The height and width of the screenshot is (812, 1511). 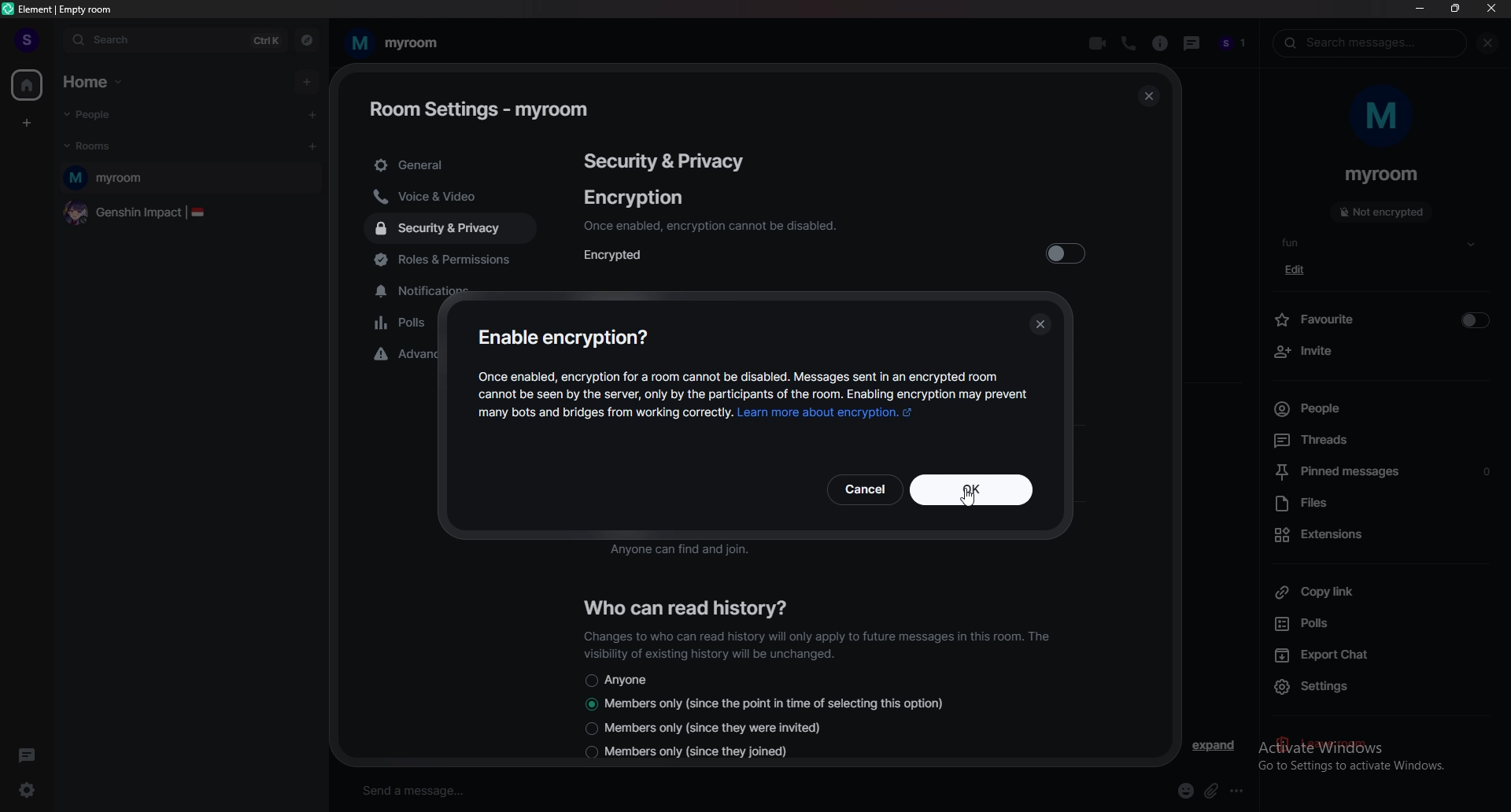 What do you see at coordinates (1374, 42) in the screenshot?
I see `search messages` at bounding box center [1374, 42].